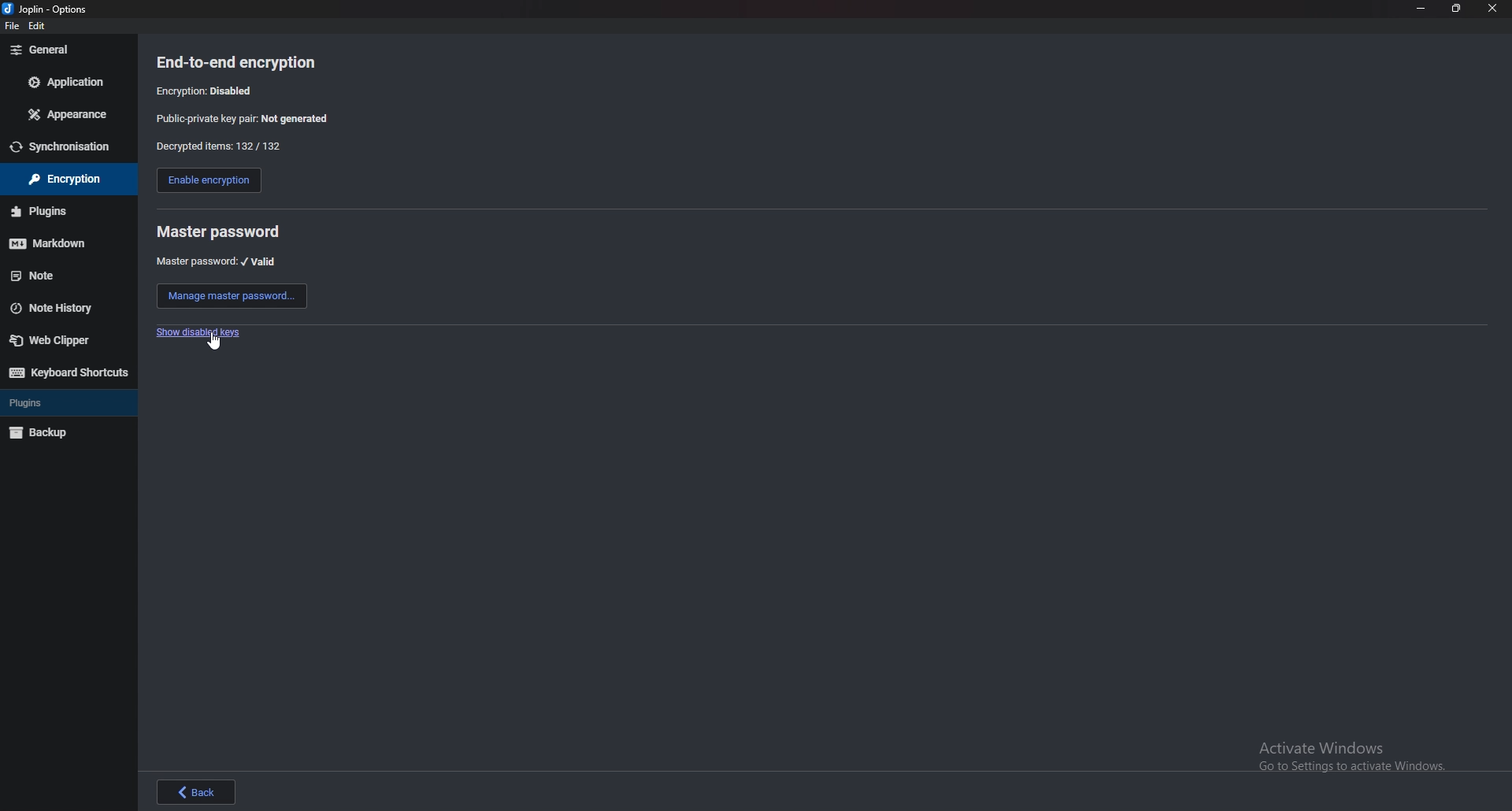 Image resolution: width=1512 pixels, height=811 pixels. Describe the element at coordinates (199, 791) in the screenshot. I see `back` at that location.